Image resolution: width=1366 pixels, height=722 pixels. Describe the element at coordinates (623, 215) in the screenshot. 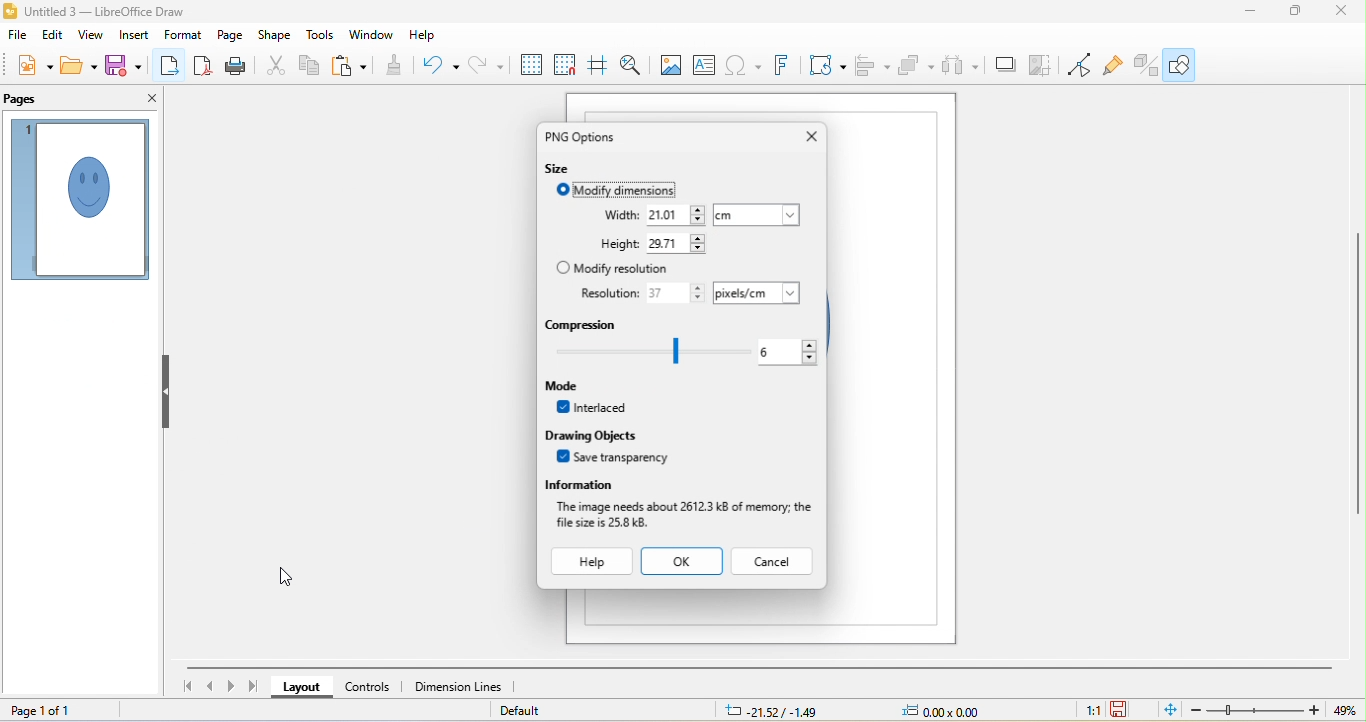

I see `width` at that location.